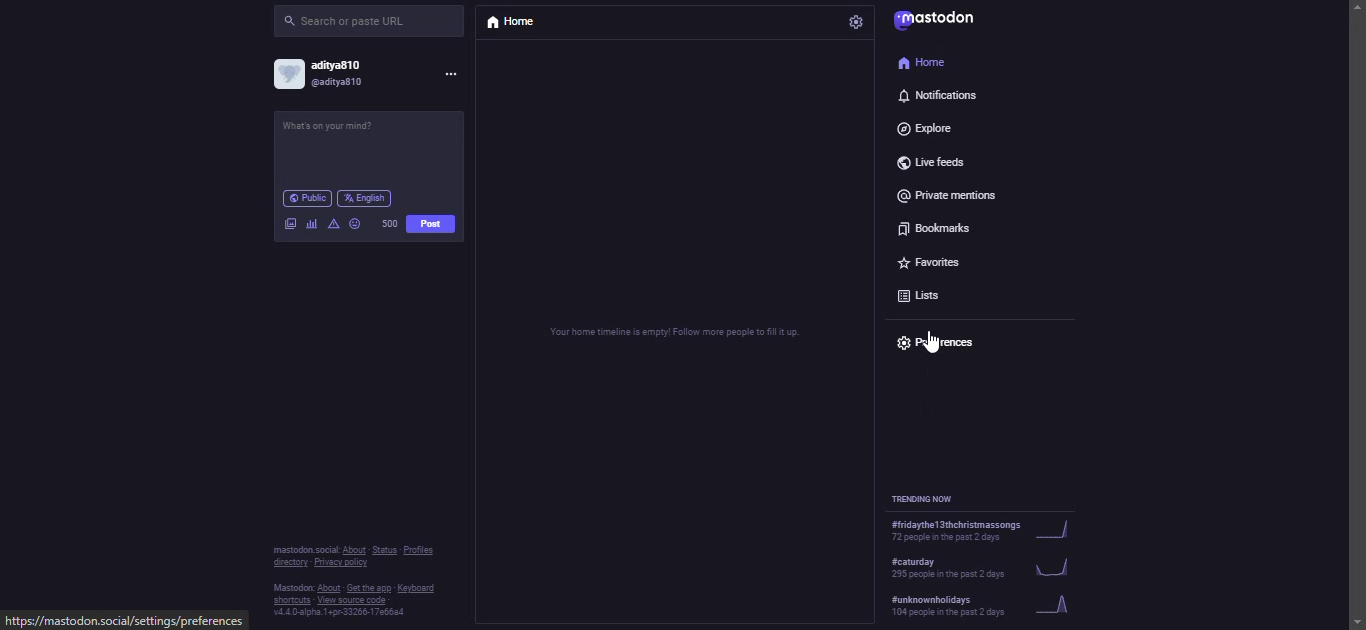  Describe the element at coordinates (982, 572) in the screenshot. I see `trending` at that location.